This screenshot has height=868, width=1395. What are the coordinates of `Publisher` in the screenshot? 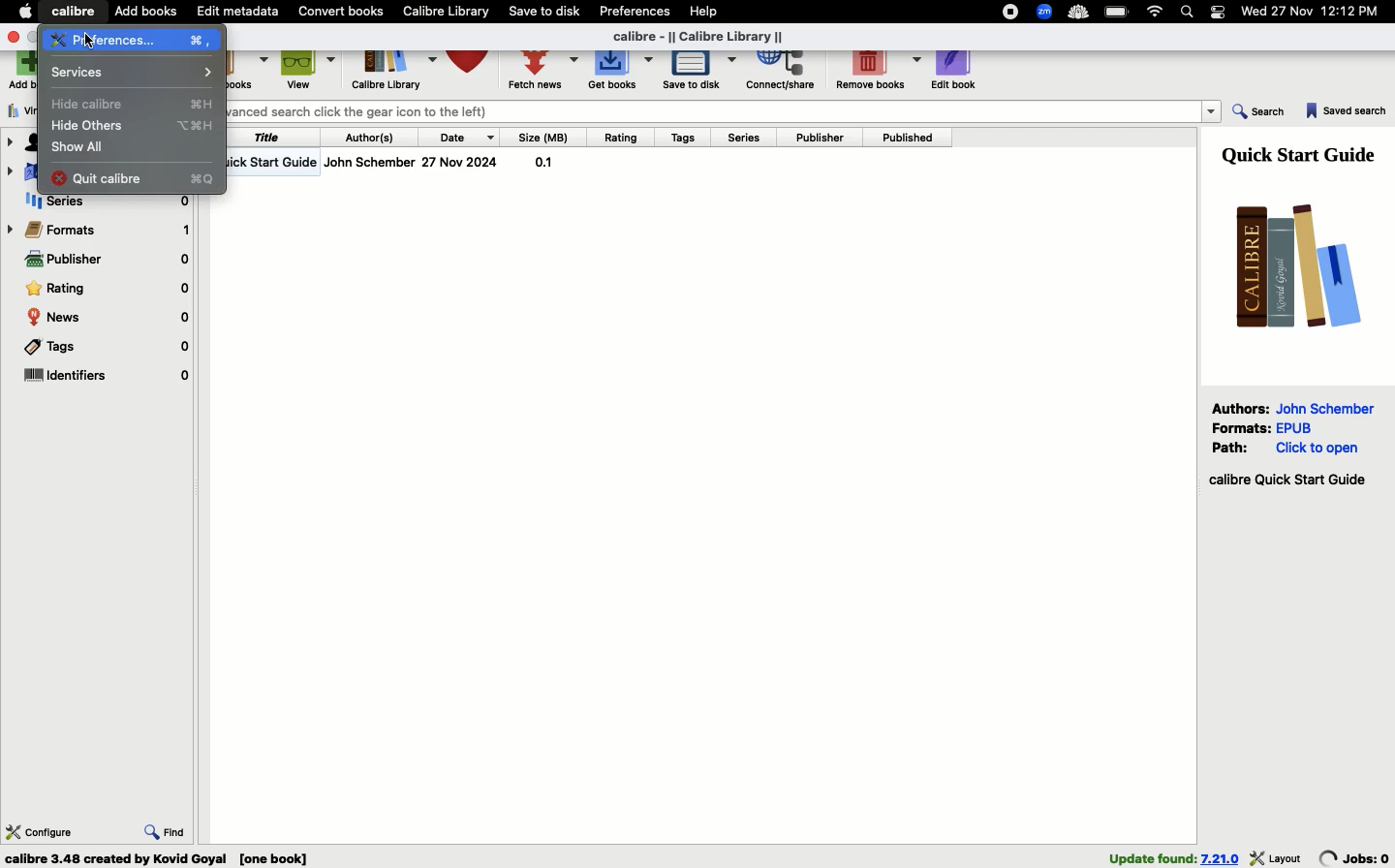 It's located at (822, 138).